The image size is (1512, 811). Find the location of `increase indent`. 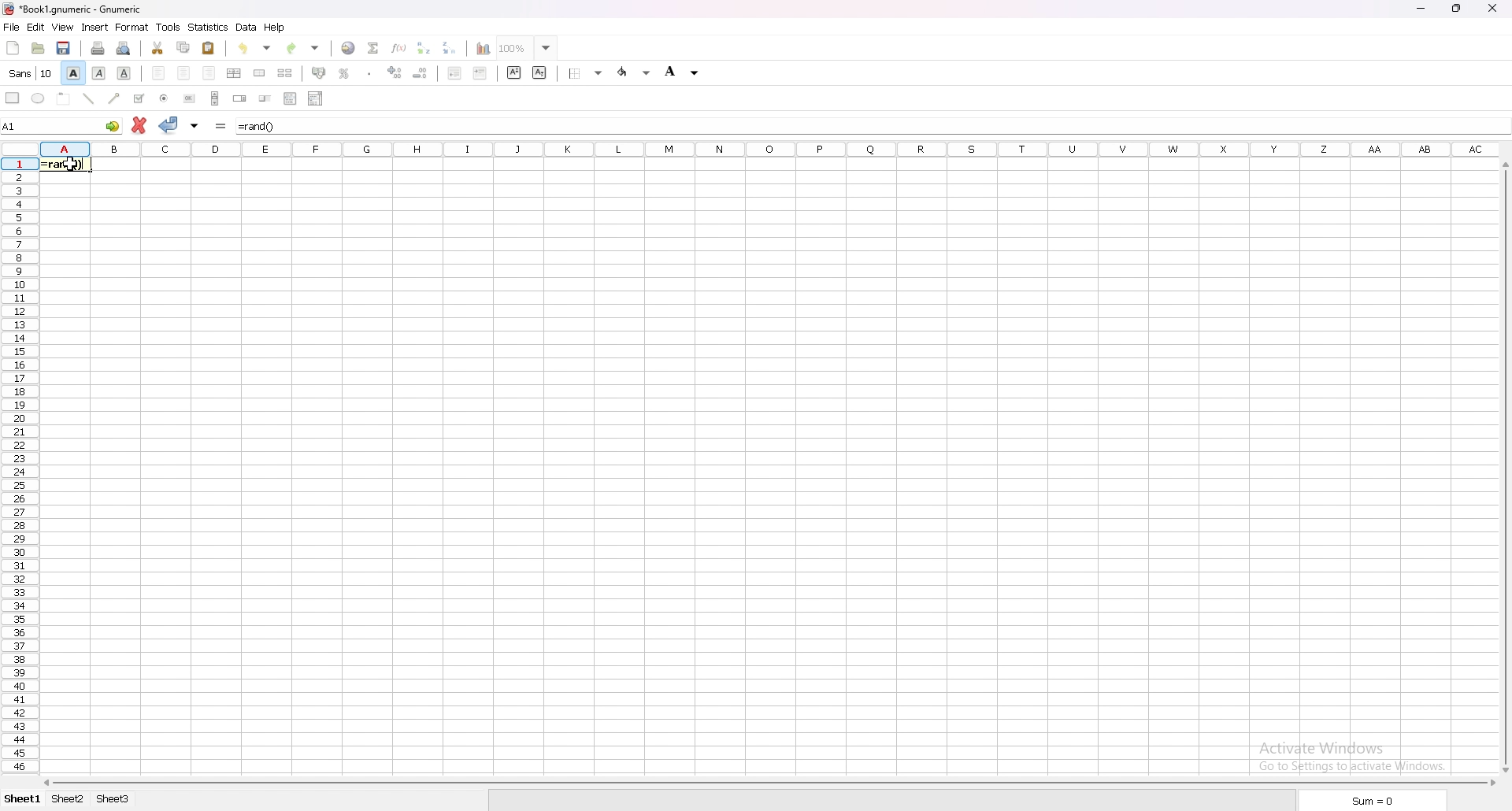

increase indent is located at coordinates (480, 72).